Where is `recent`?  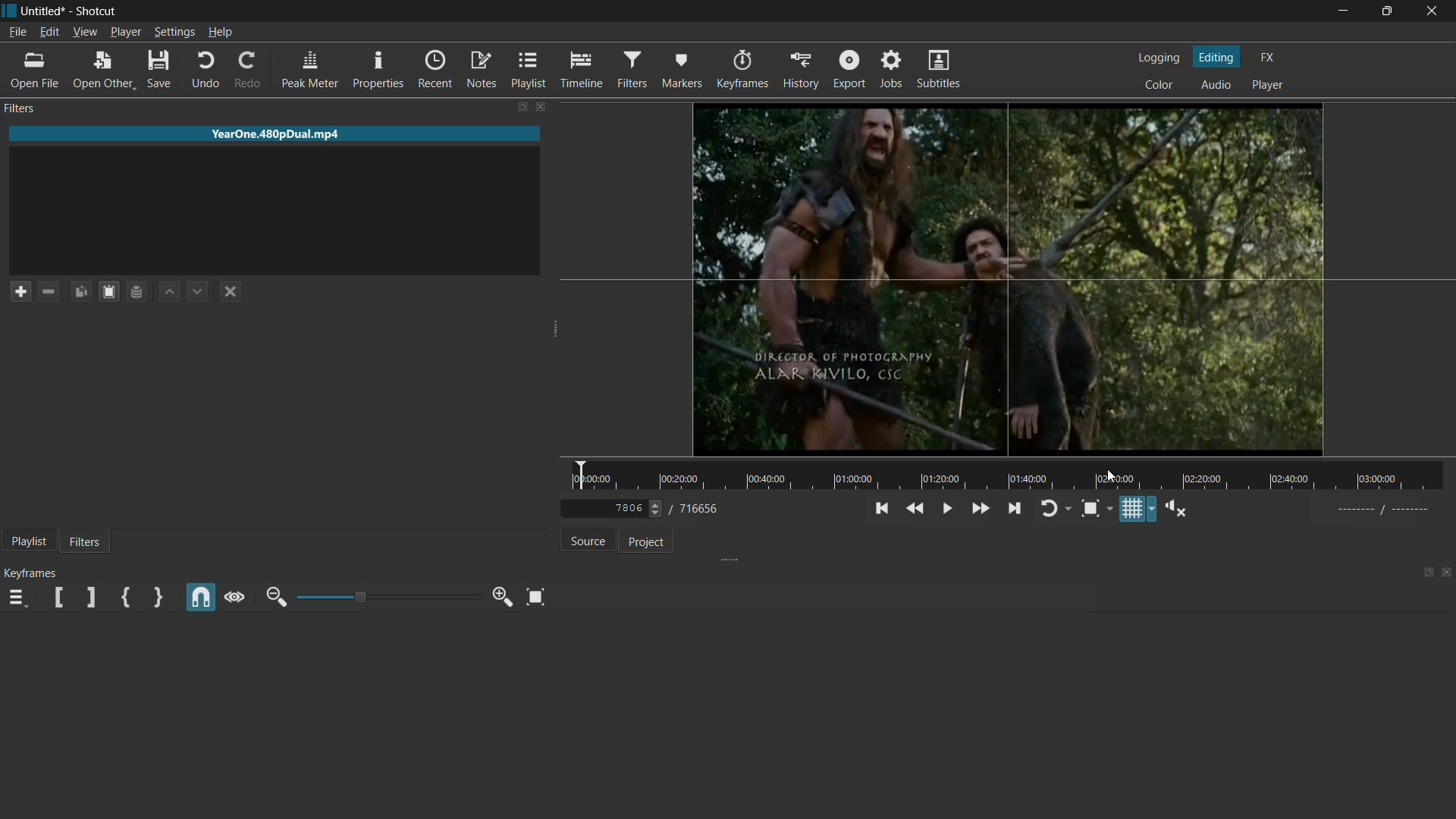
recent is located at coordinates (435, 68).